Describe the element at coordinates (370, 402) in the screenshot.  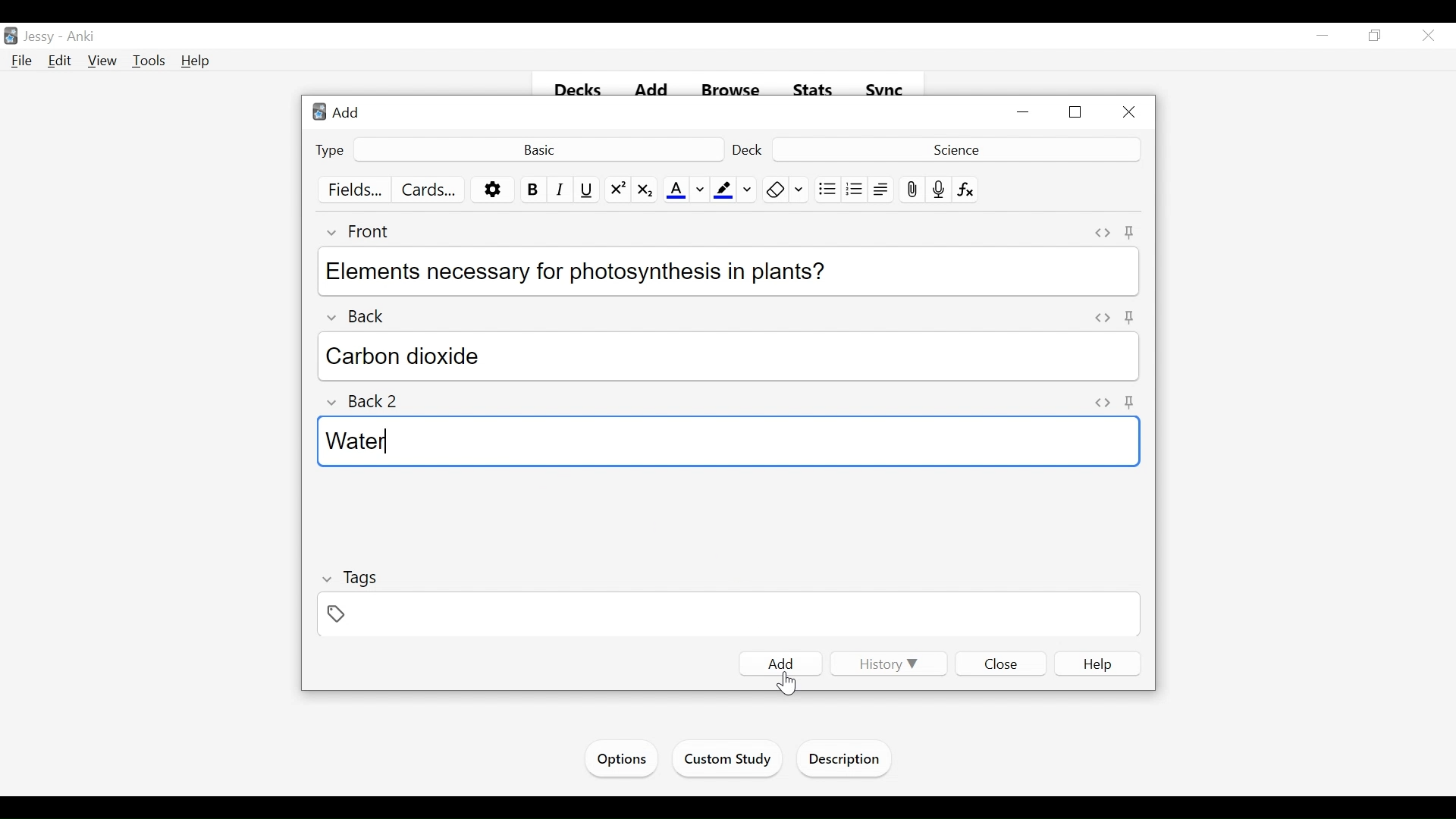
I see `Back 2` at that location.